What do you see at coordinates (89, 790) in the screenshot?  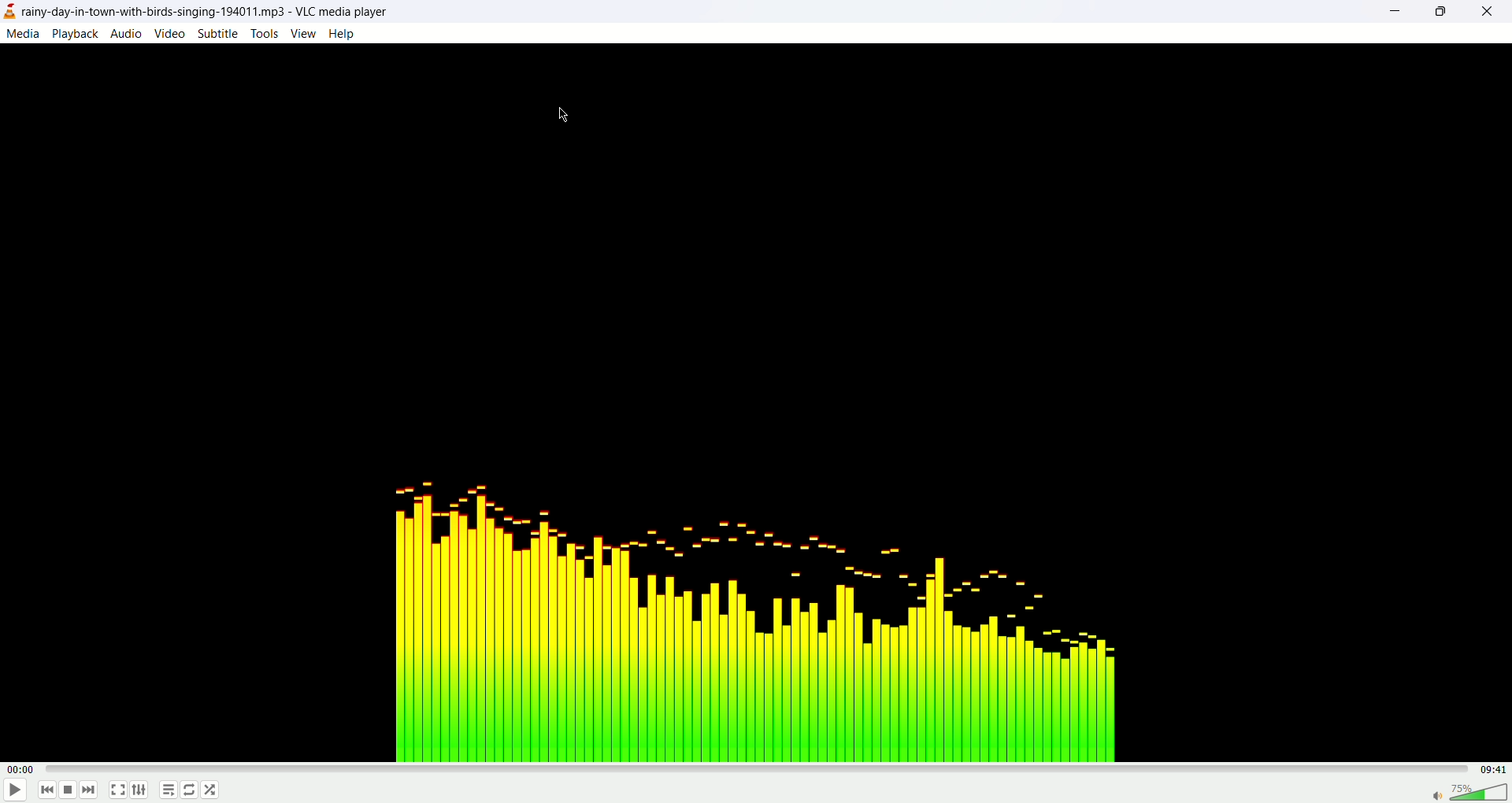 I see `next` at bounding box center [89, 790].